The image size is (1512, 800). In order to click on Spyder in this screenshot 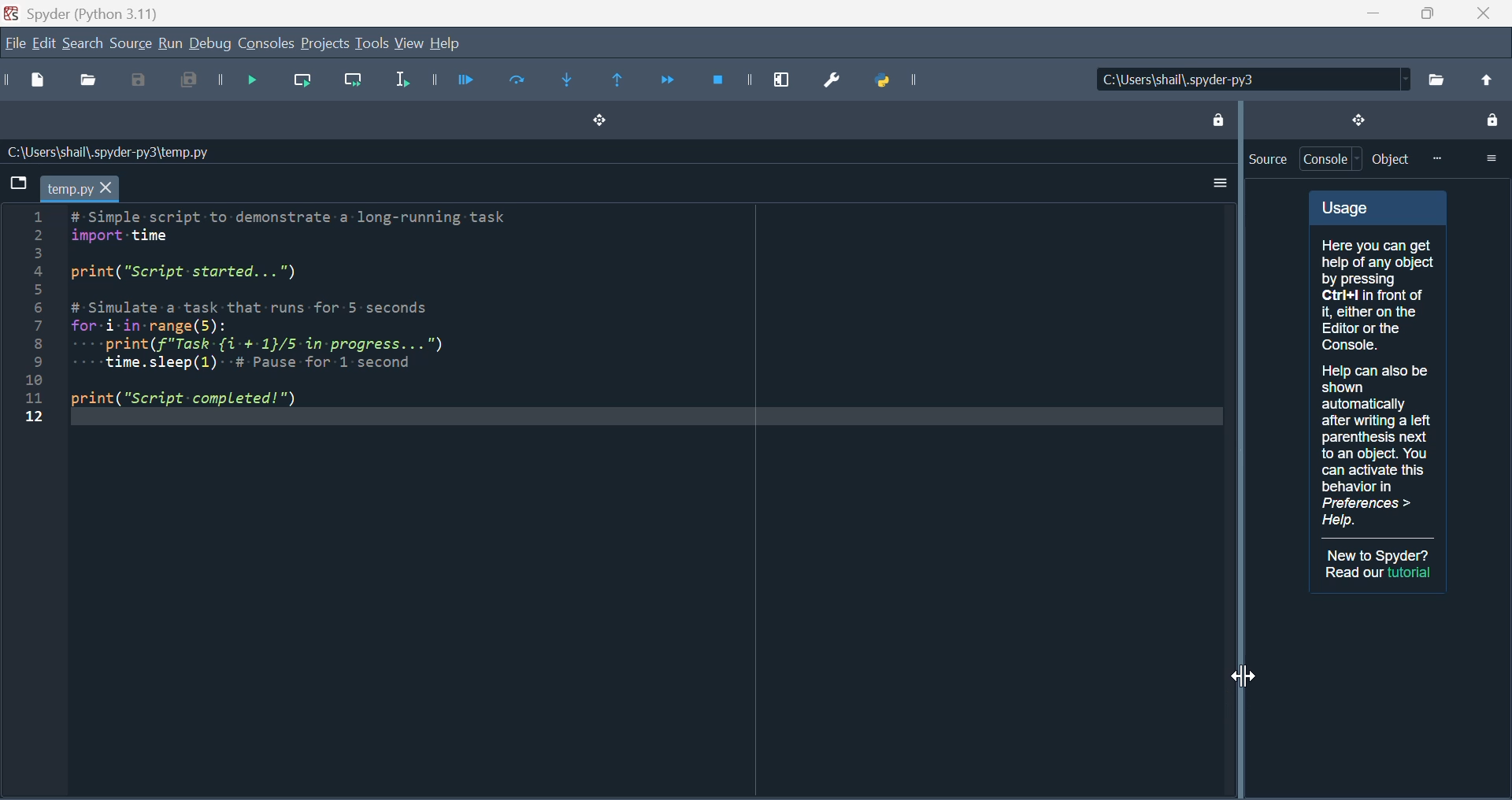, I will do `click(95, 12)`.